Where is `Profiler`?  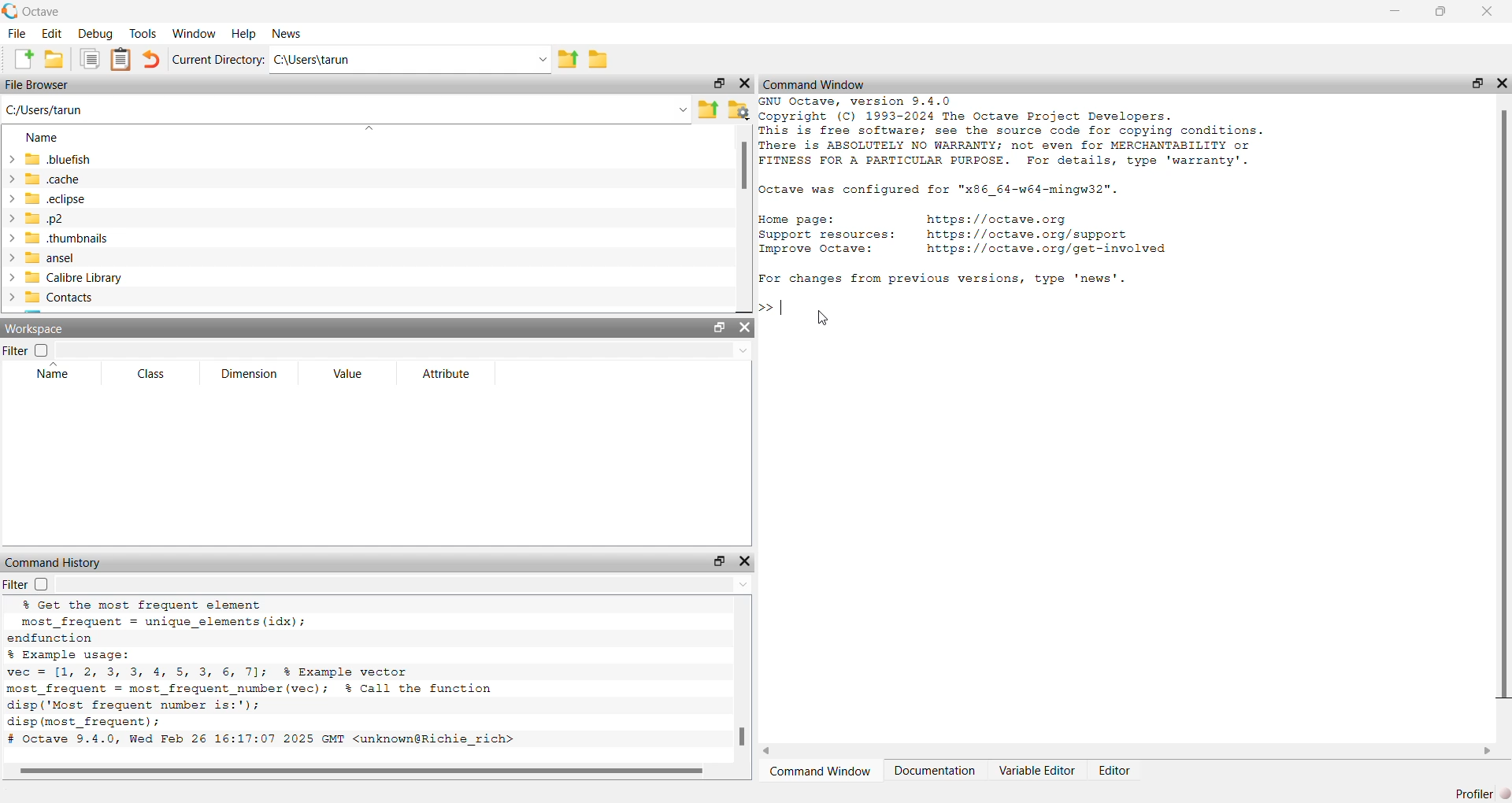
Profiler is located at coordinates (1474, 794).